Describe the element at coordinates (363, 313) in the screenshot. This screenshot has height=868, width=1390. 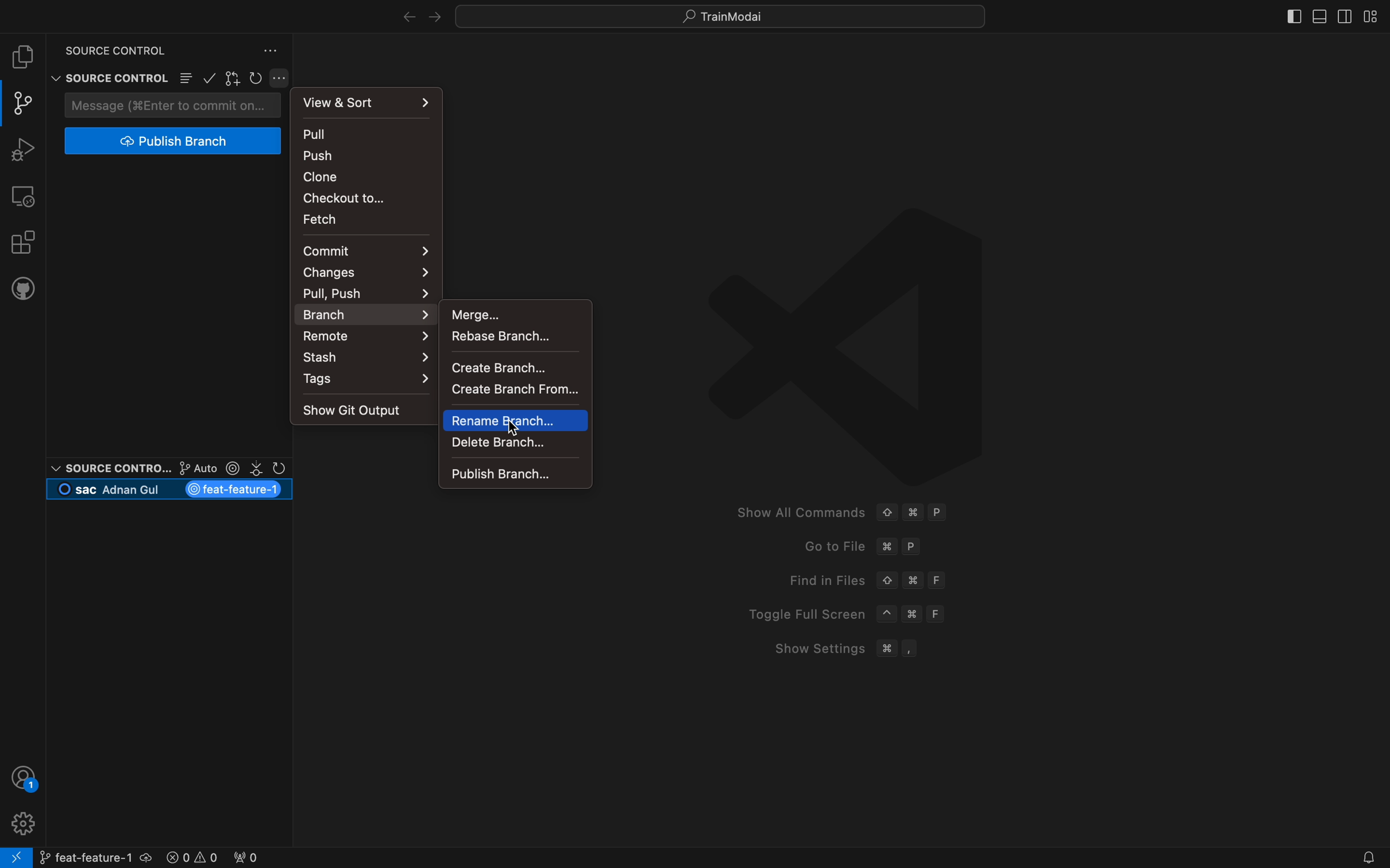
I see `branch` at that location.